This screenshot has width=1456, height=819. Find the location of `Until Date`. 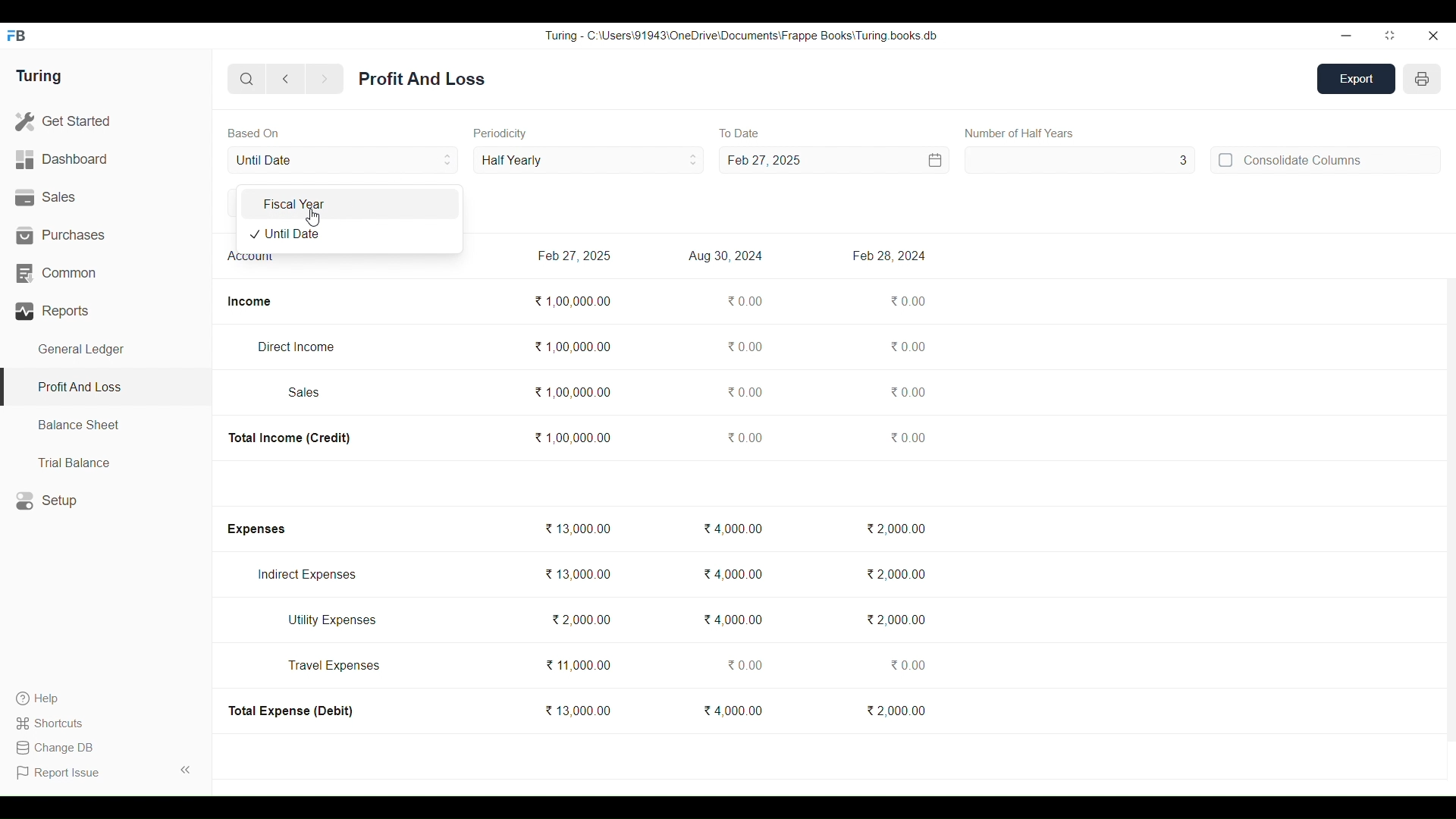

Until Date is located at coordinates (344, 160).